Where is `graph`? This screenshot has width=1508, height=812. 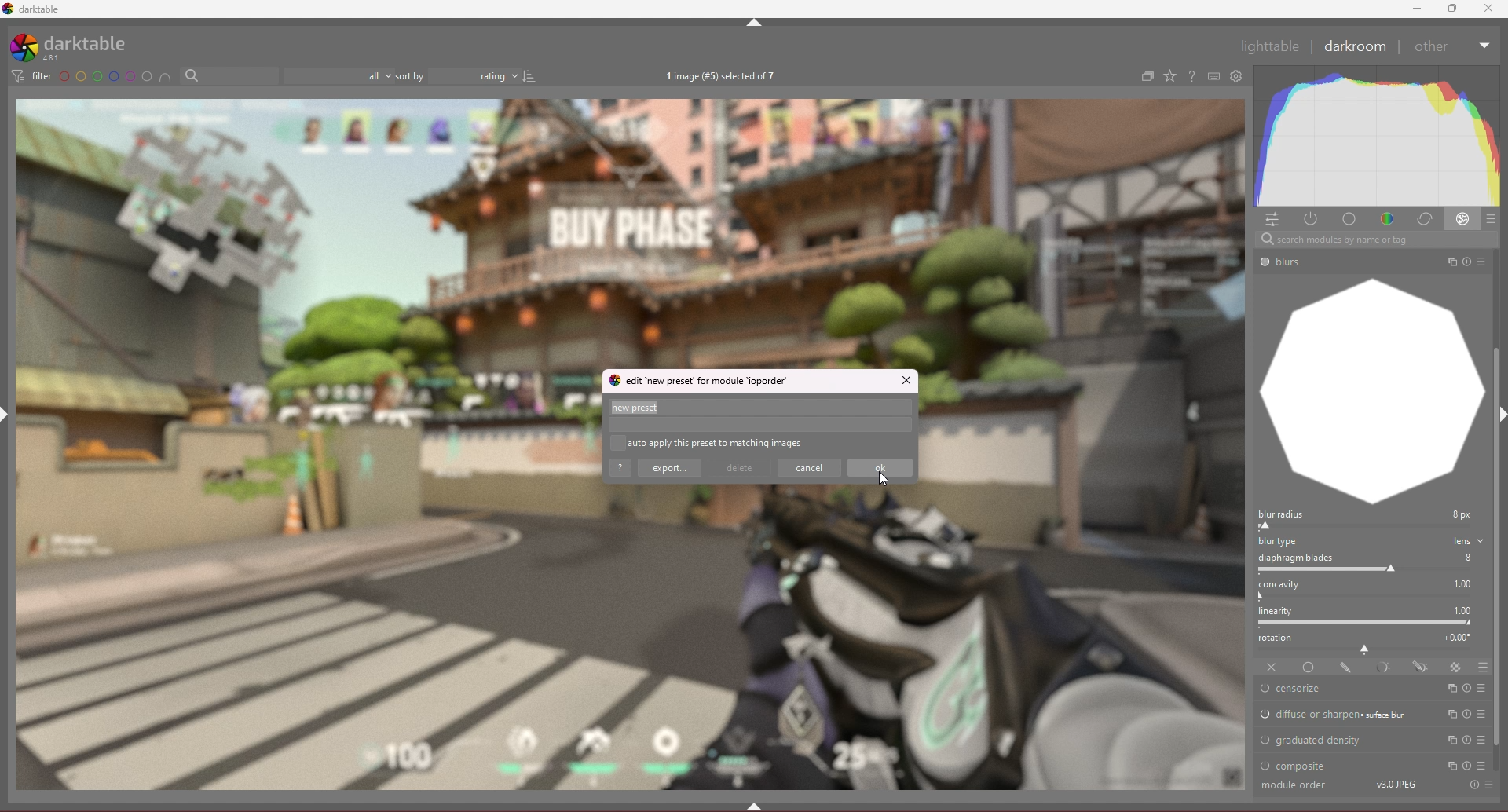 graph is located at coordinates (1372, 400).